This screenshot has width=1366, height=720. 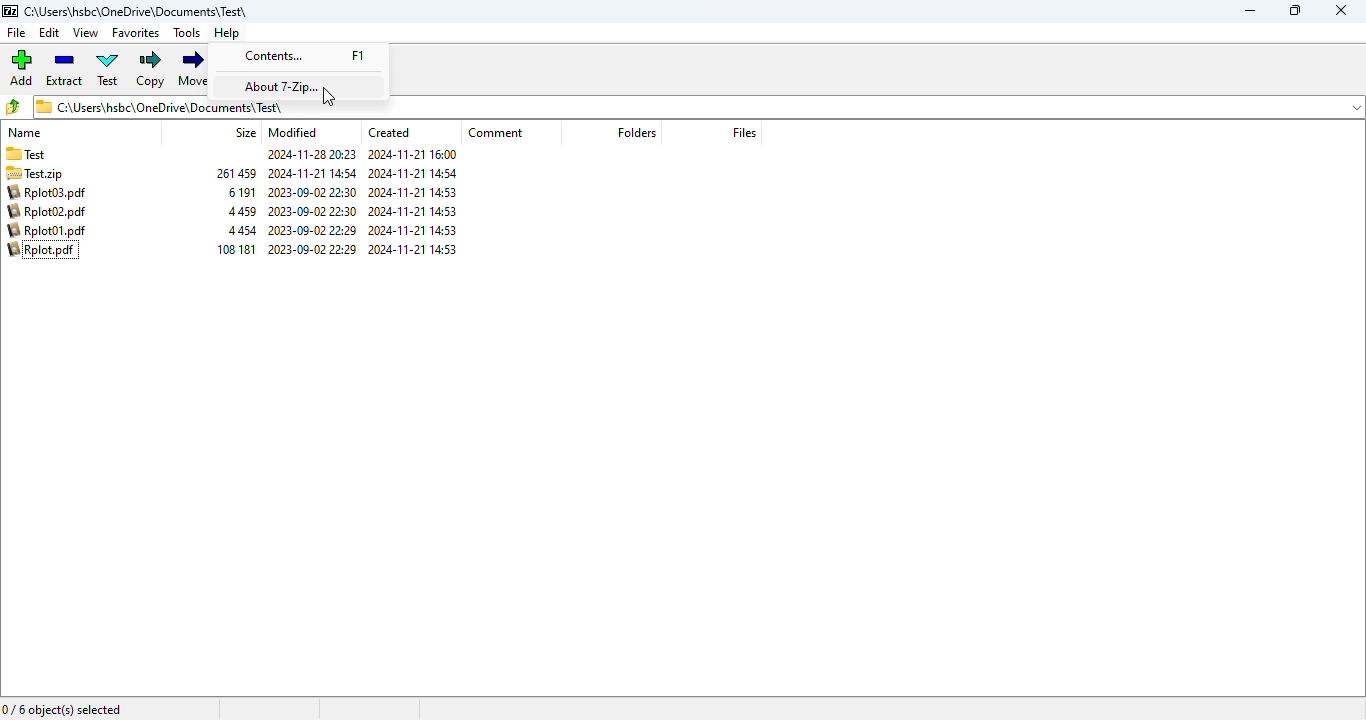 What do you see at coordinates (244, 212) in the screenshot?
I see `4 459` at bounding box center [244, 212].